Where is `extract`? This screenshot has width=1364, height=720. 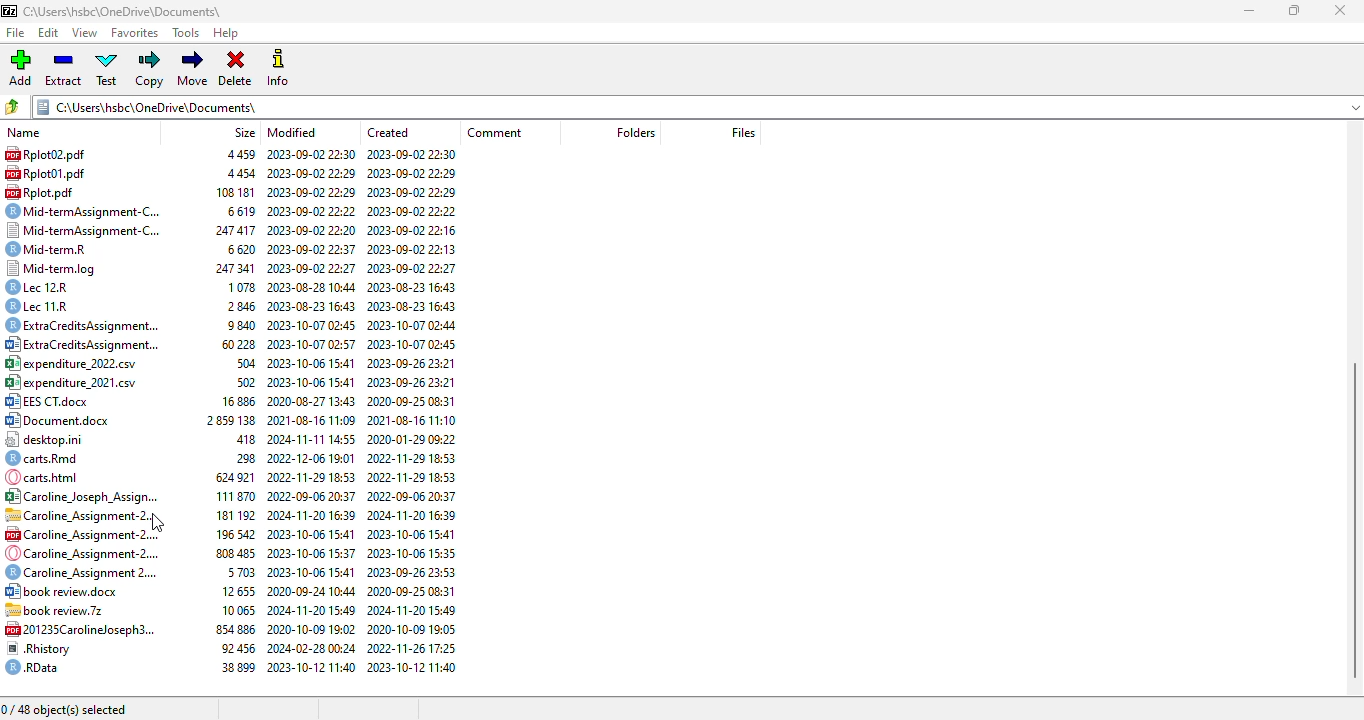 extract is located at coordinates (64, 68).